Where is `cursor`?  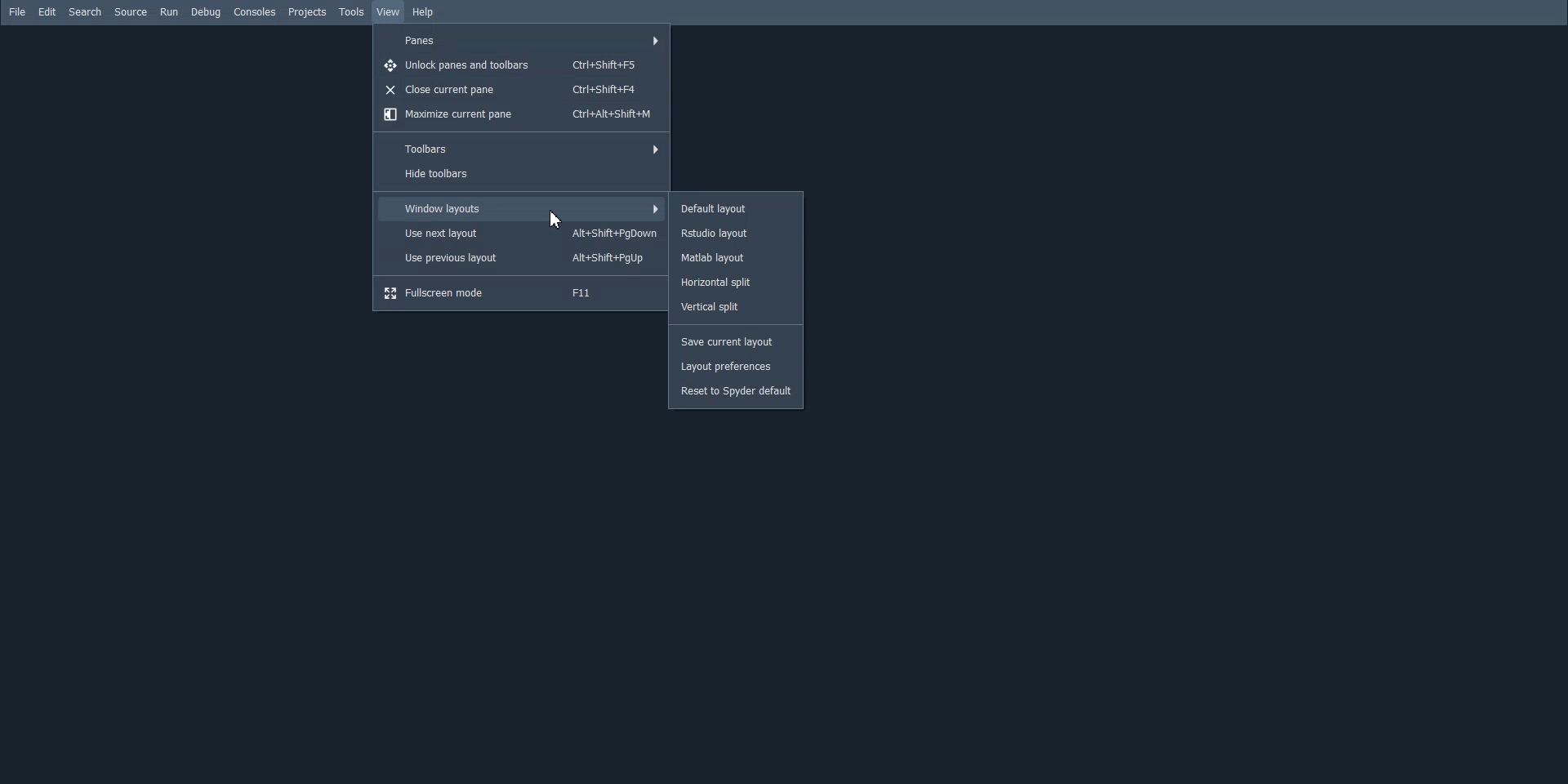
cursor is located at coordinates (557, 216).